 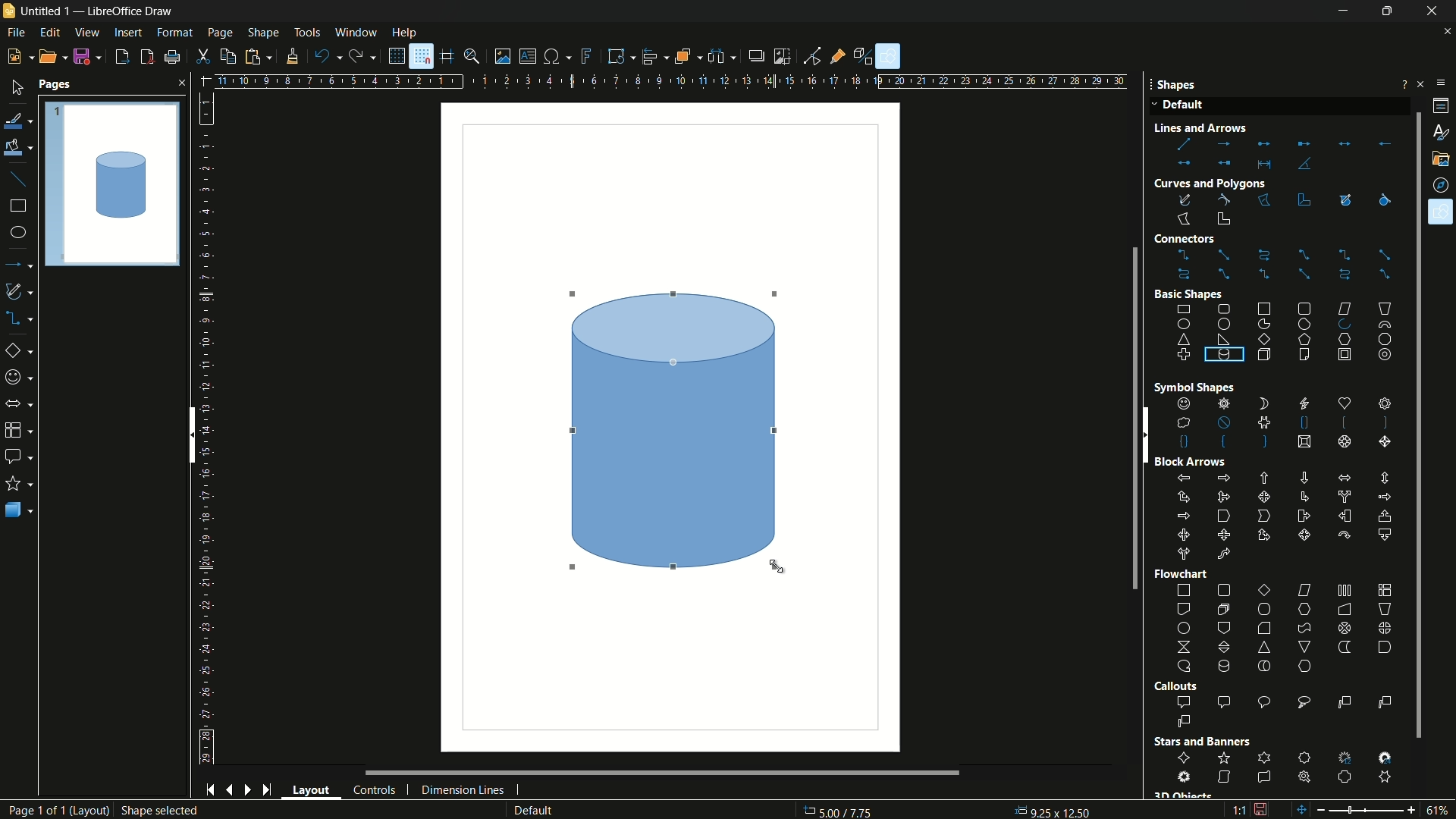 I want to click on insert image, so click(x=503, y=56).